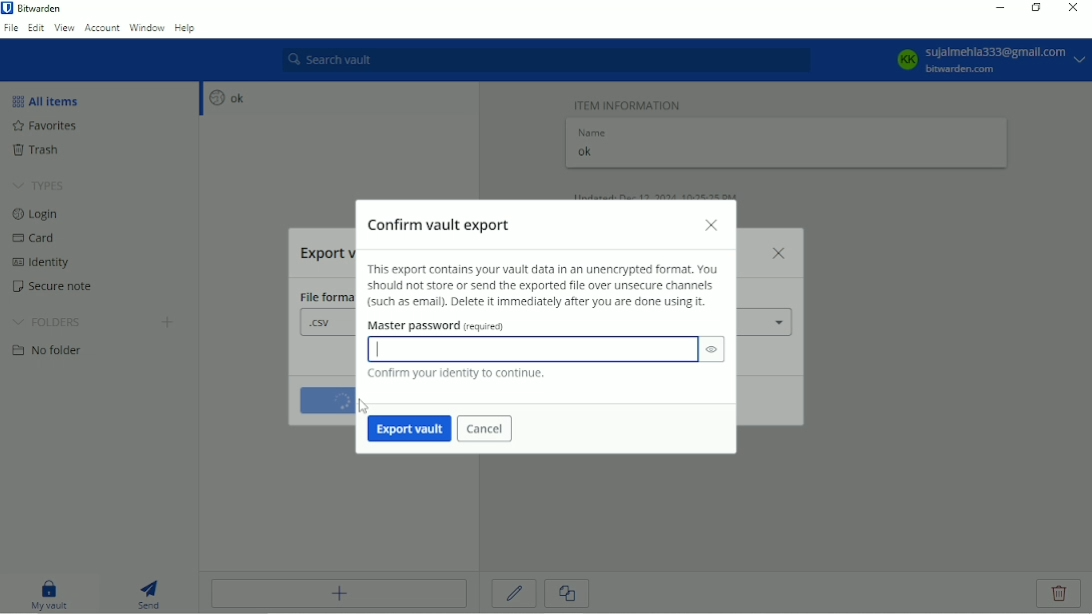  What do you see at coordinates (444, 223) in the screenshot?
I see `Confirm vault export` at bounding box center [444, 223].